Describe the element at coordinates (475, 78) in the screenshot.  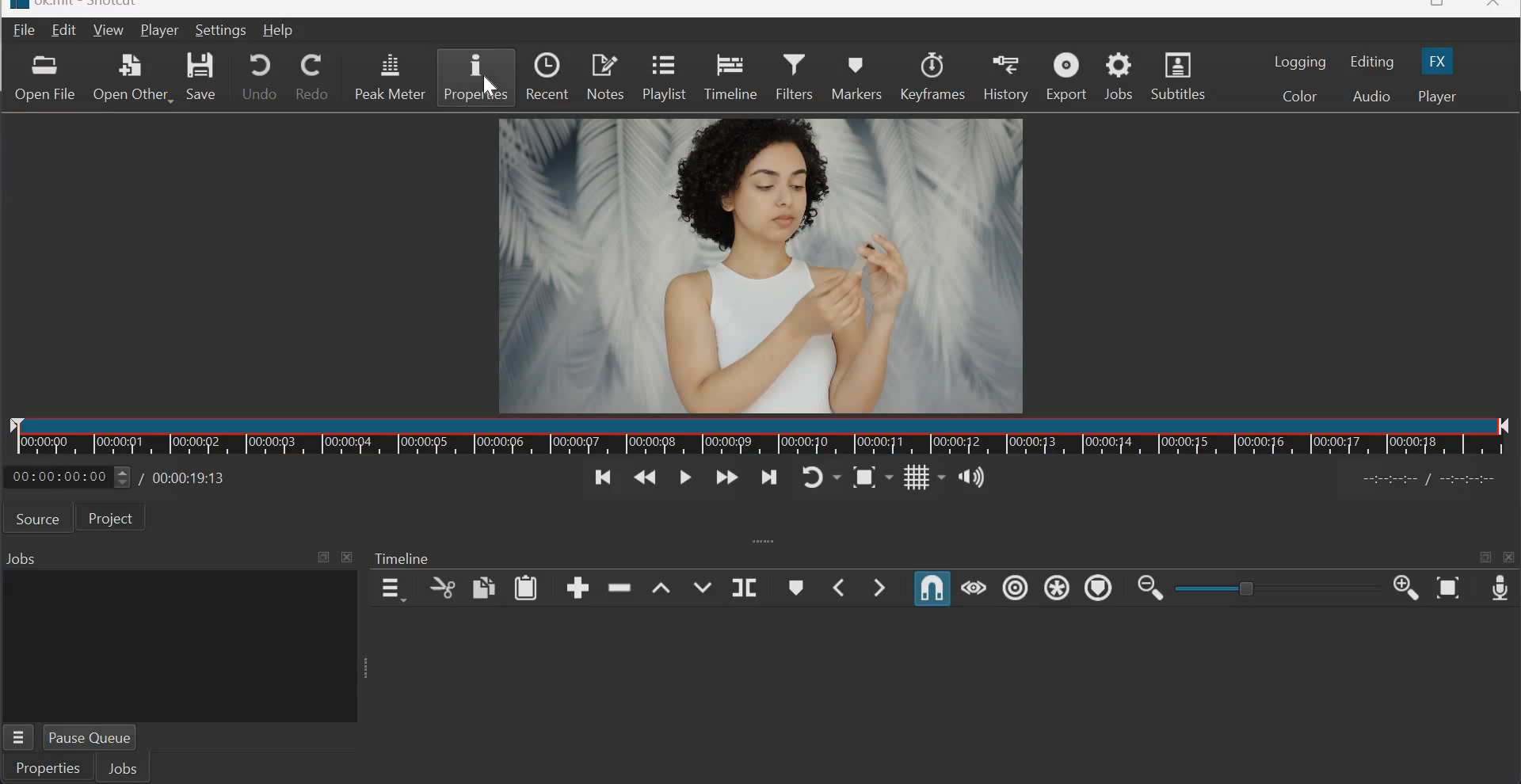
I see `properties` at that location.